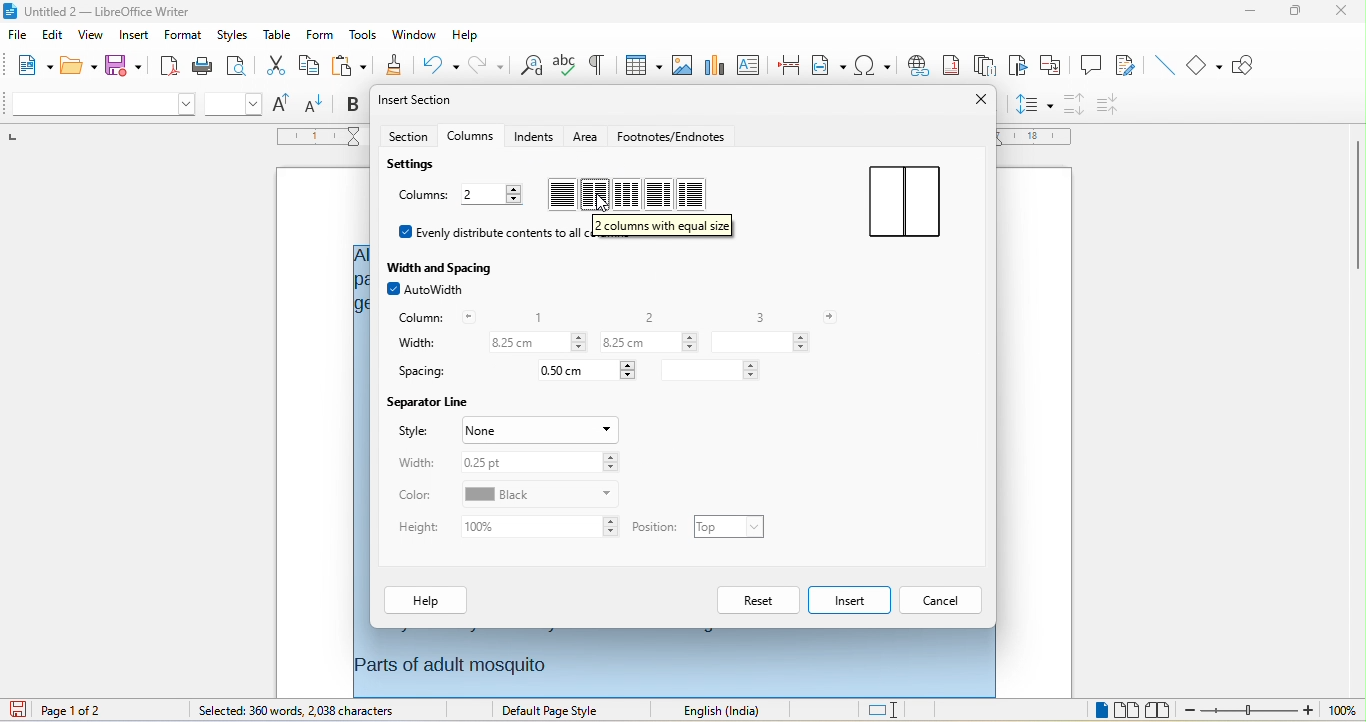  What do you see at coordinates (538, 462) in the screenshot?
I see `set width` at bounding box center [538, 462].